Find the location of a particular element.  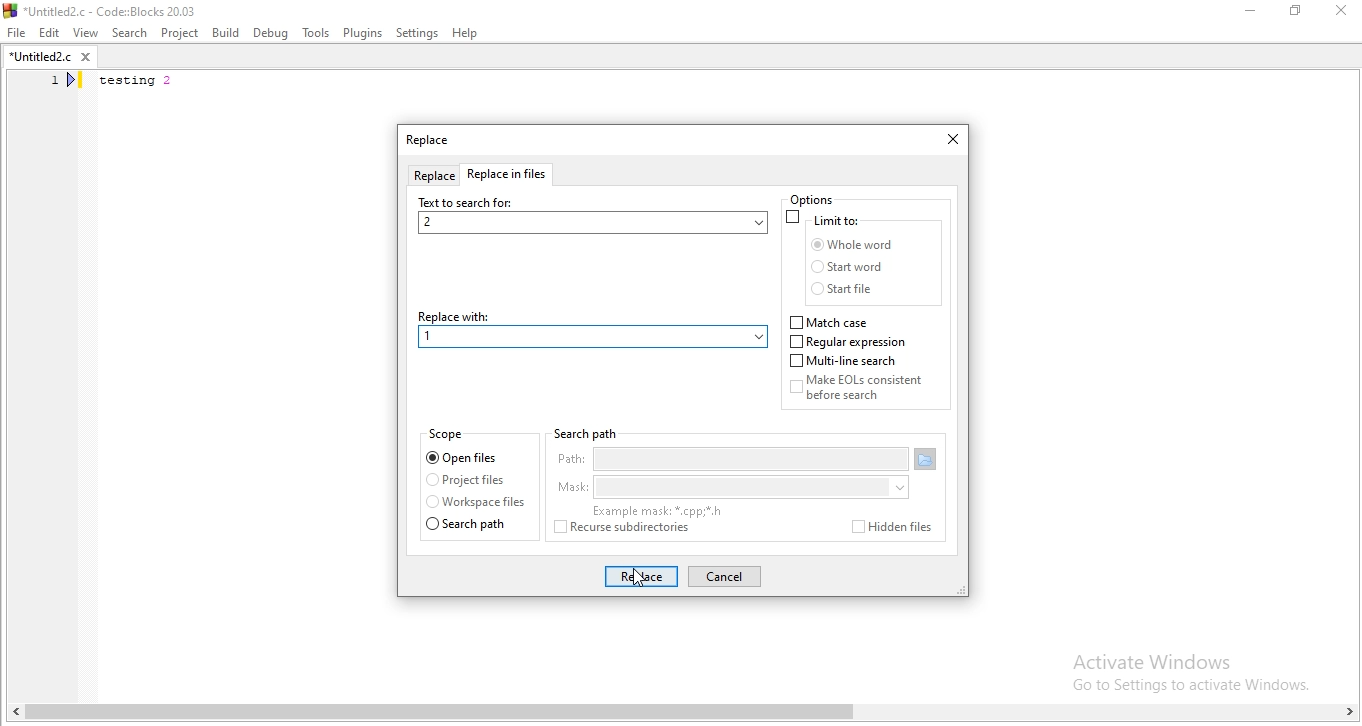

Edit  is located at coordinates (49, 33).